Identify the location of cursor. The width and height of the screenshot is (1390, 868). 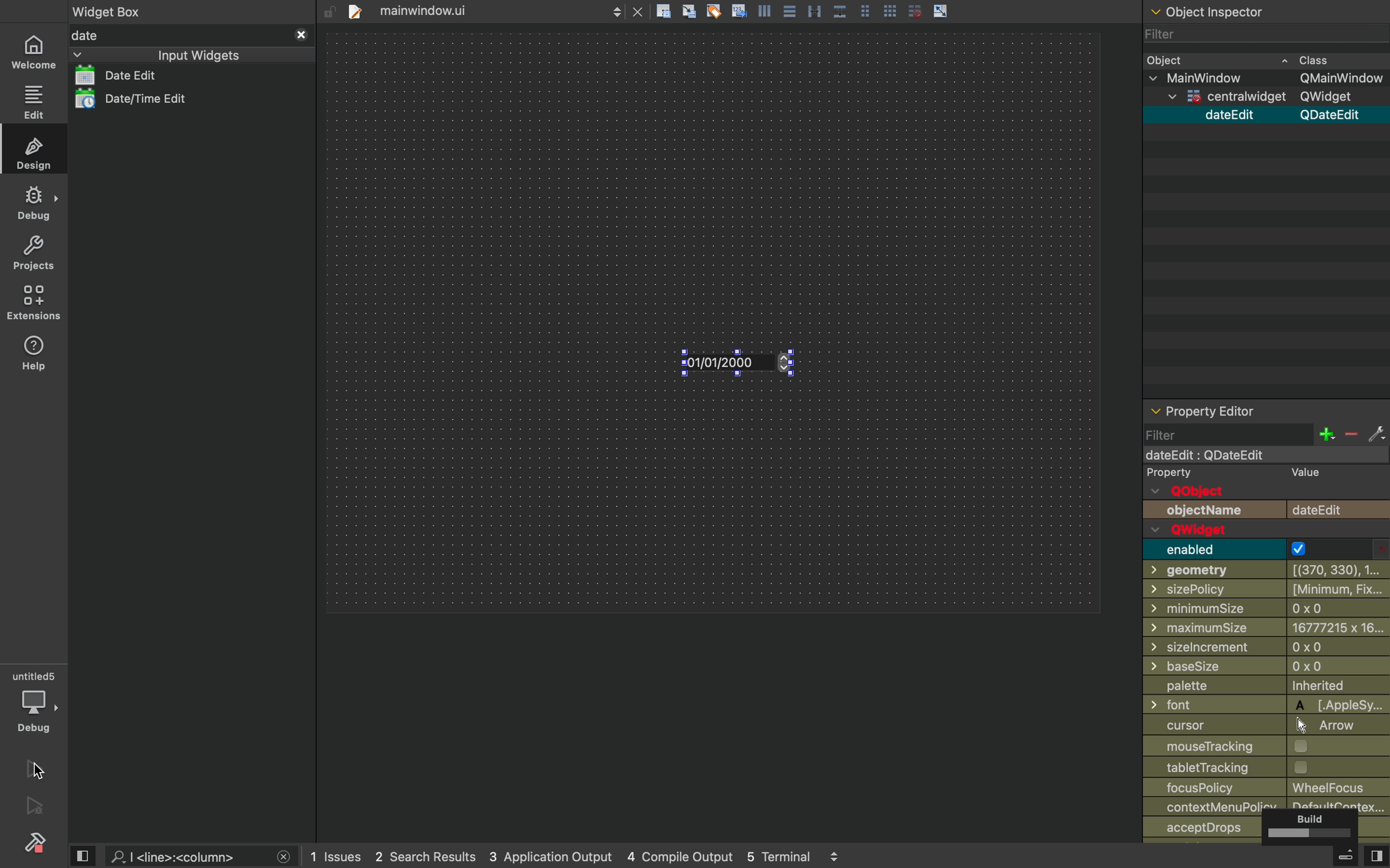
(683, 370).